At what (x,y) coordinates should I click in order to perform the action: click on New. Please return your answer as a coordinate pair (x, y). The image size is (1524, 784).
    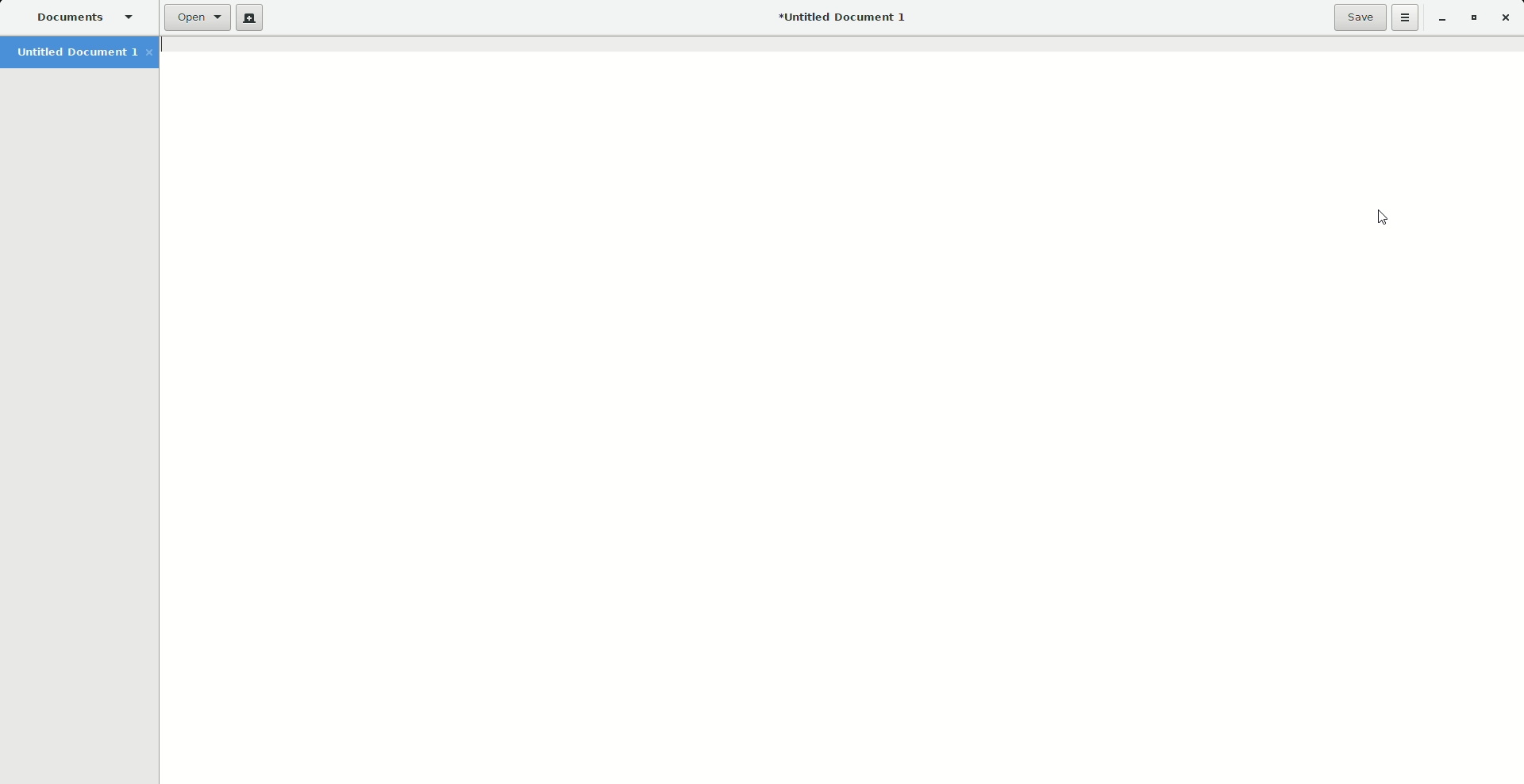
    Looking at the image, I should click on (252, 19).